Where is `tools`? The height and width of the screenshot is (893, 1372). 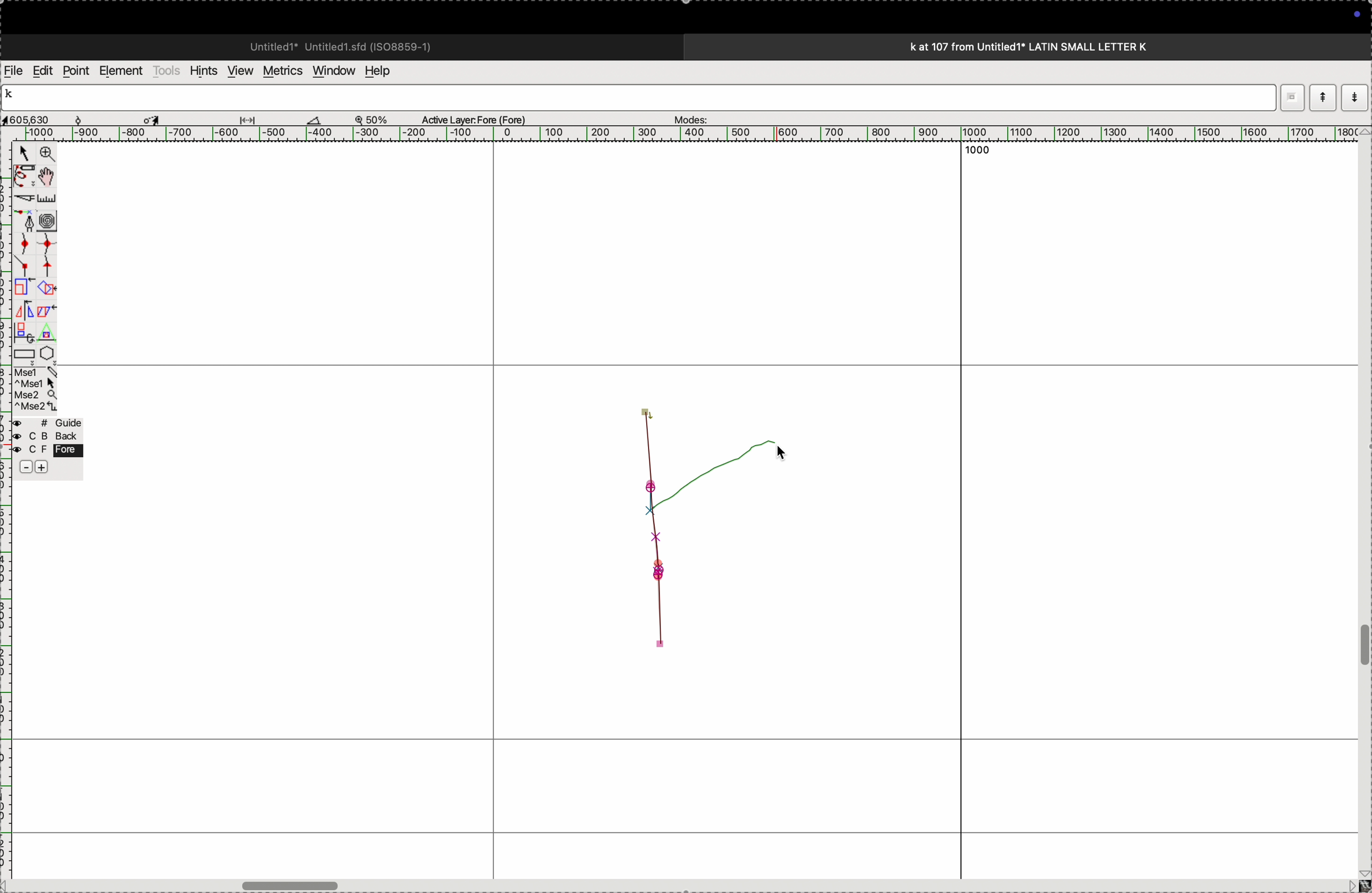 tools is located at coordinates (167, 70).